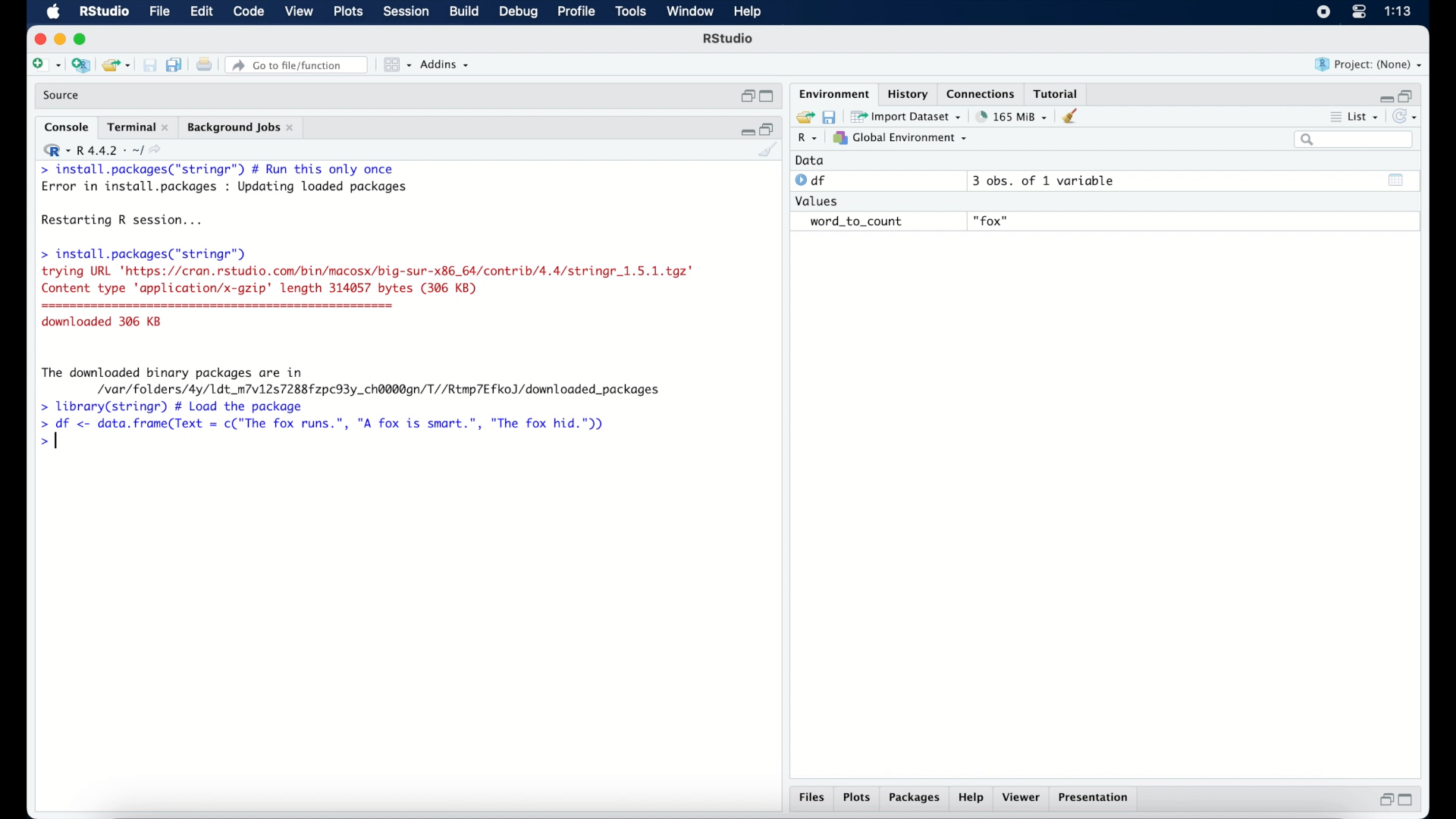 The height and width of the screenshot is (819, 1456). Describe the element at coordinates (768, 128) in the screenshot. I see `restore down` at that location.